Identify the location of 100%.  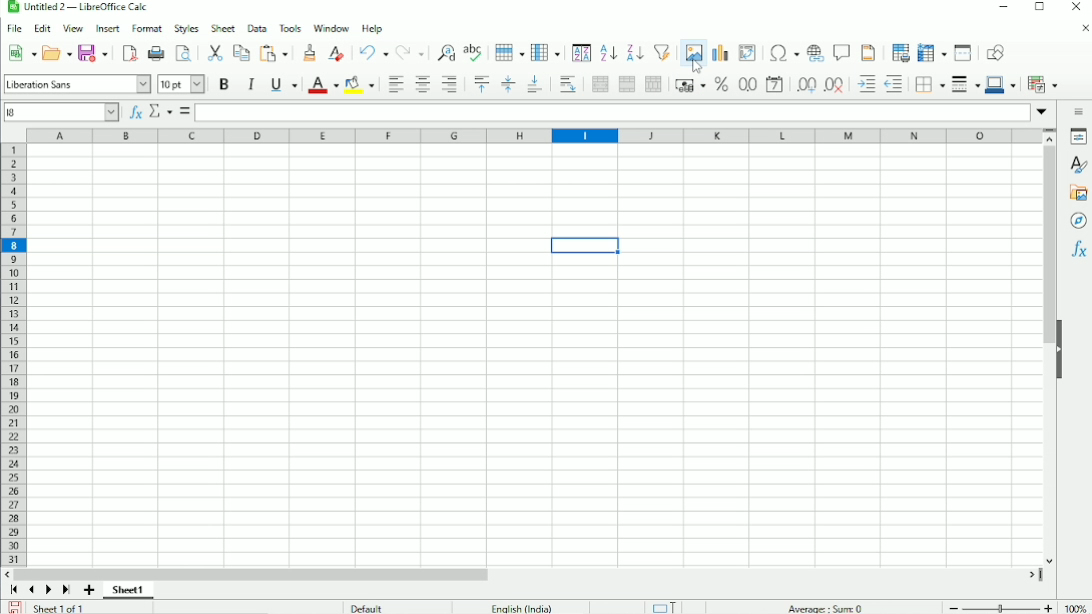
(1077, 608).